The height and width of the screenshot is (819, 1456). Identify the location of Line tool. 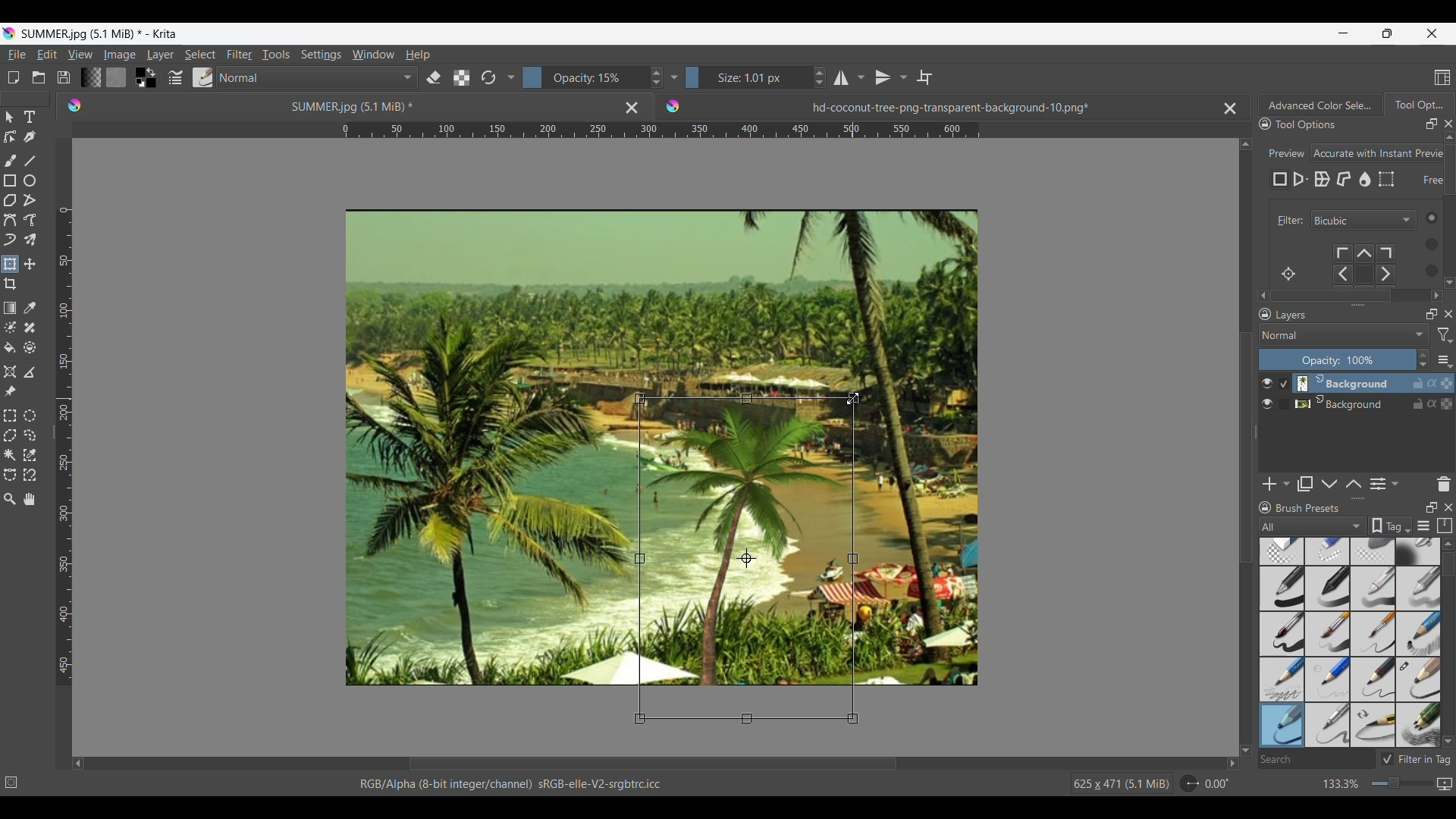
(29, 161).